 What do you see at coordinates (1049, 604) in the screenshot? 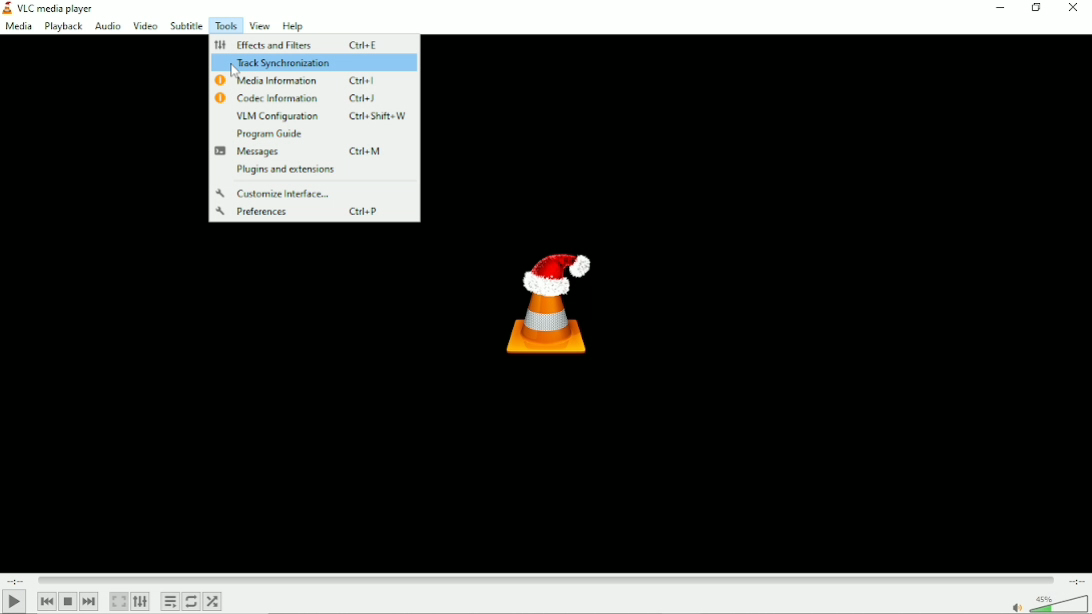
I see `Volume` at bounding box center [1049, 604].